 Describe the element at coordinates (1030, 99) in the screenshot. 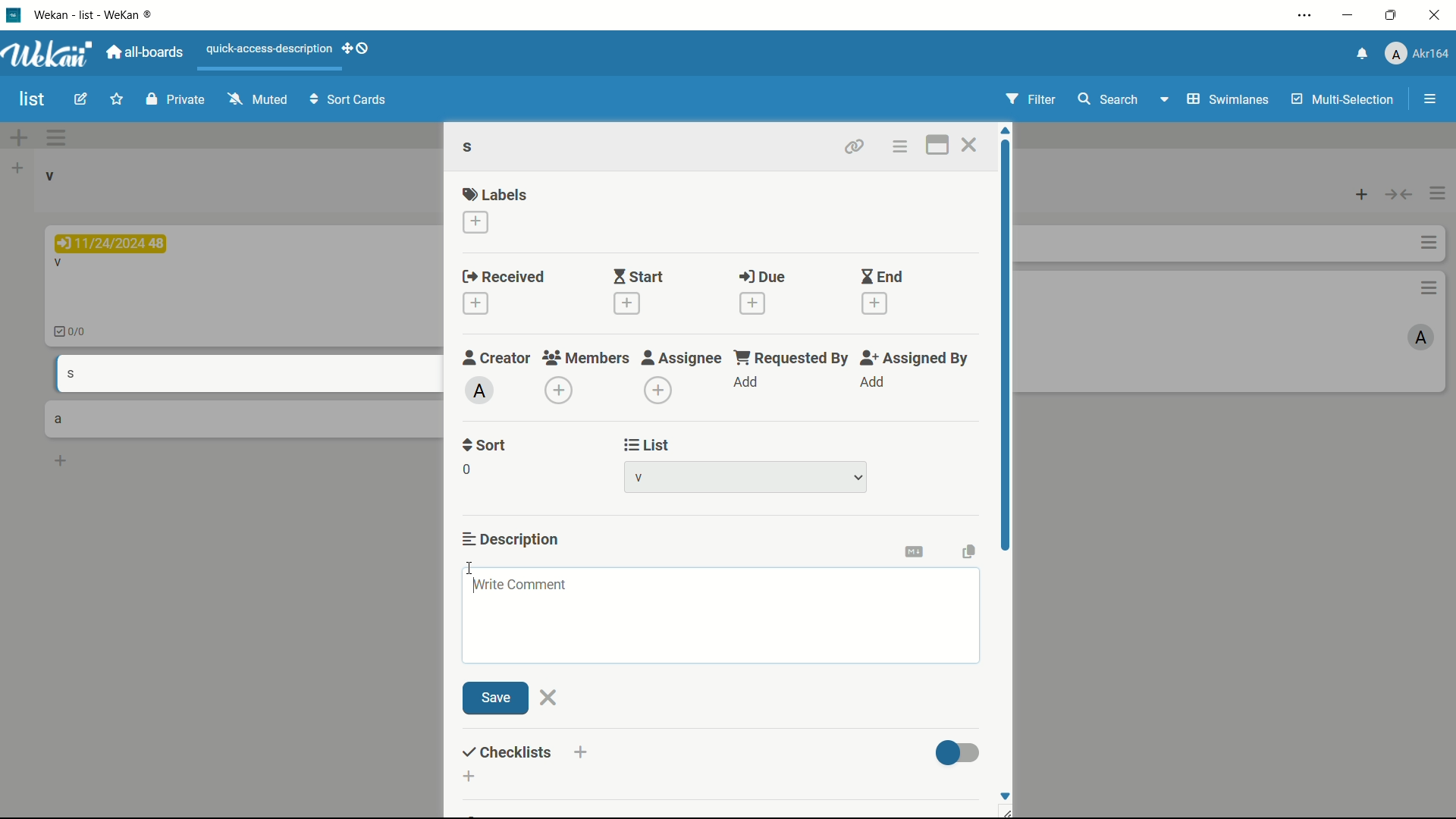

I see `filter` at that location.